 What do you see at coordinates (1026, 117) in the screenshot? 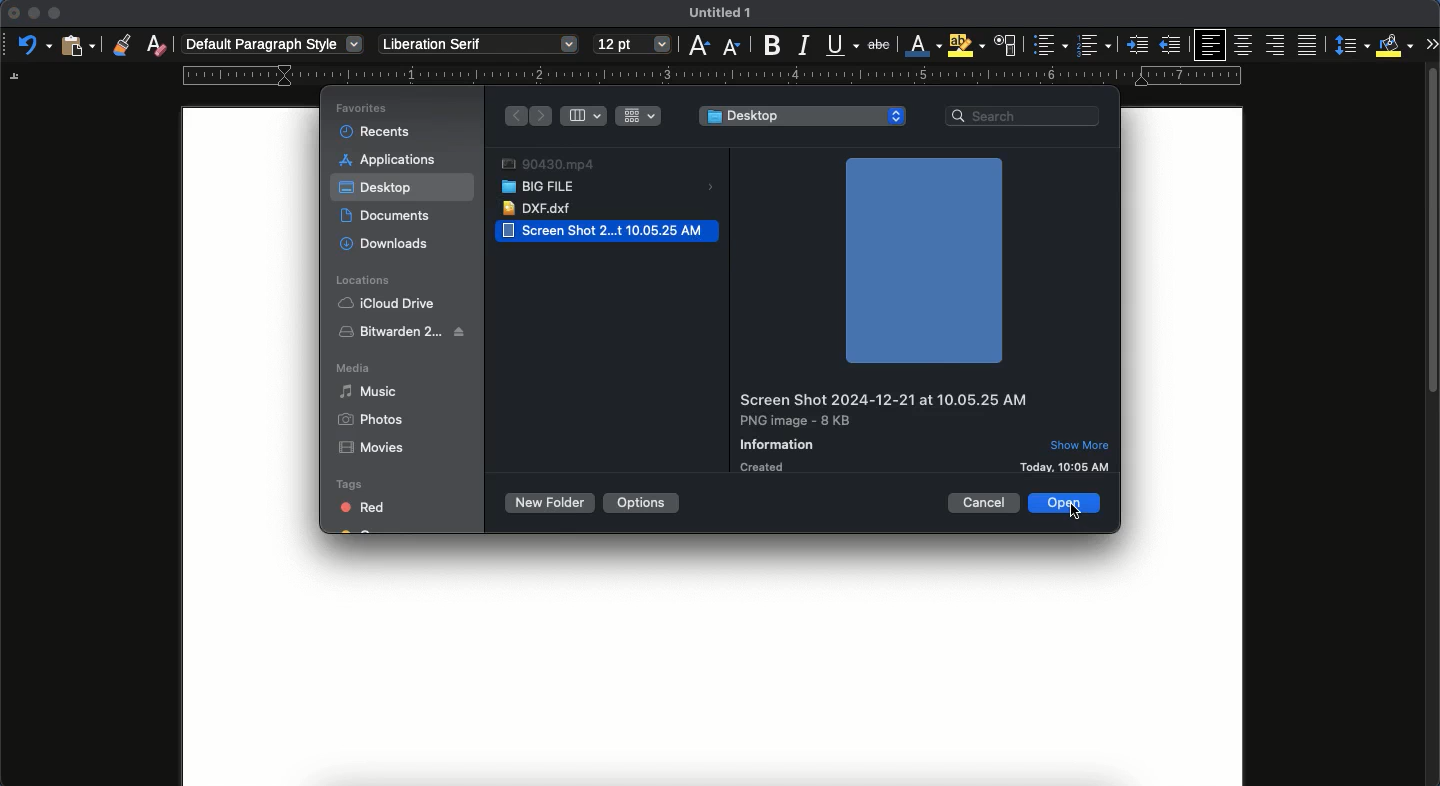
I see `search` at bounding box center [1026, 117].